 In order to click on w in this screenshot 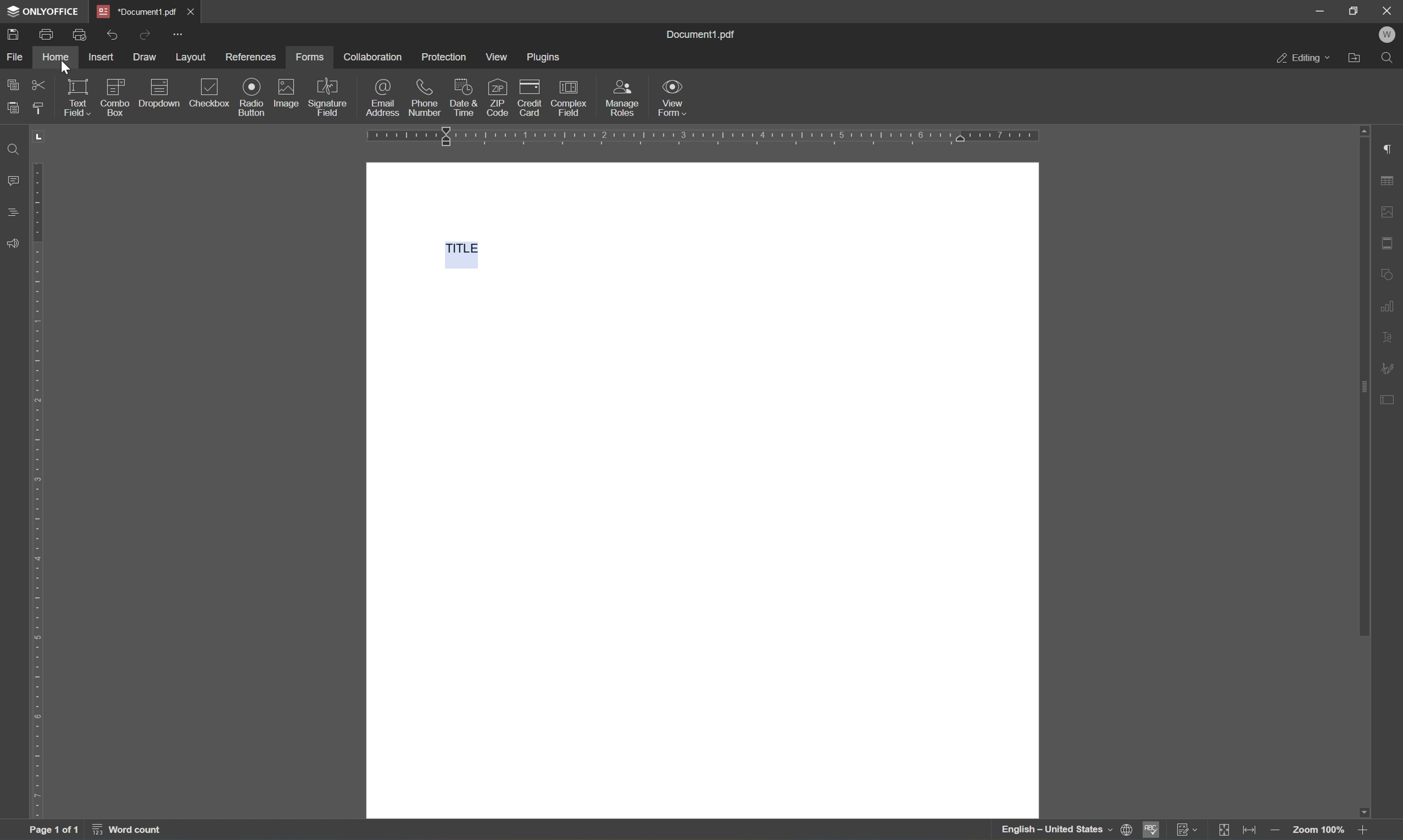, I will do `click(1388, 33)`.